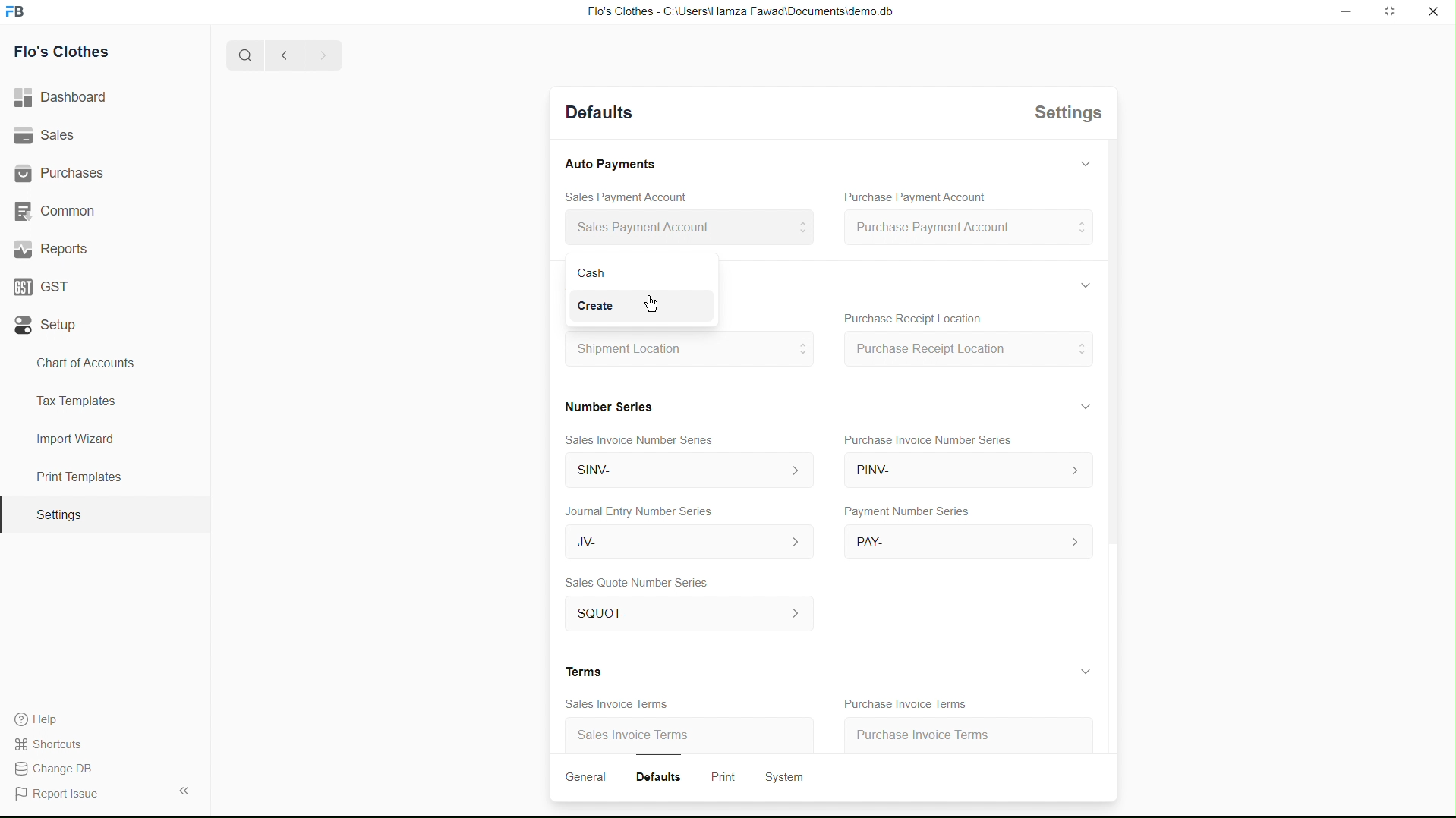 Image resolution: width=1456 pixels, height=818 pixels. I want to click on Back, so click(279, 56).